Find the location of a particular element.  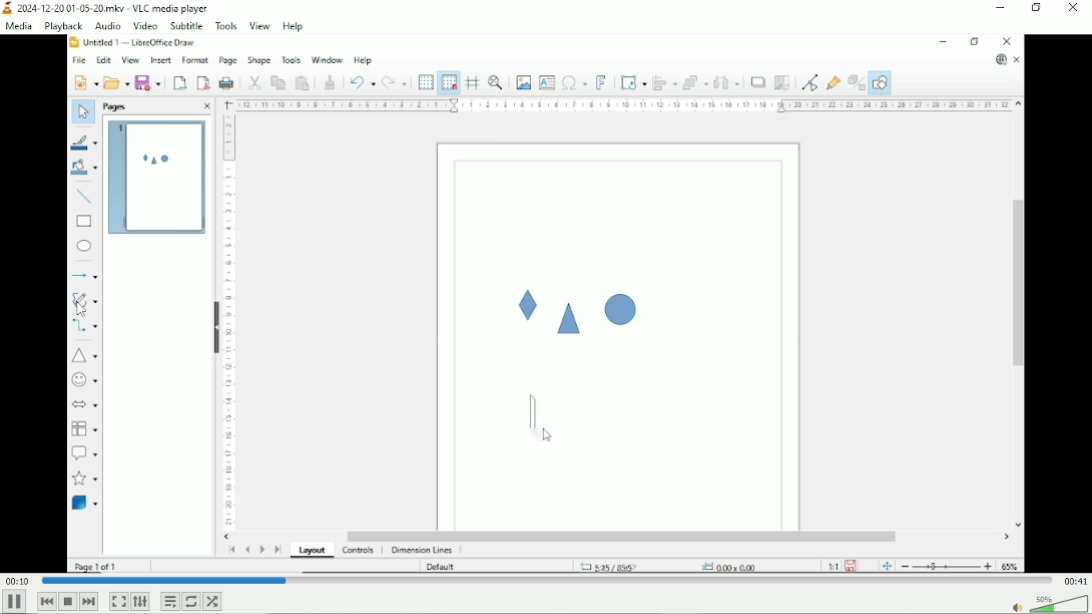

Random is located at coordinates (213, 601).